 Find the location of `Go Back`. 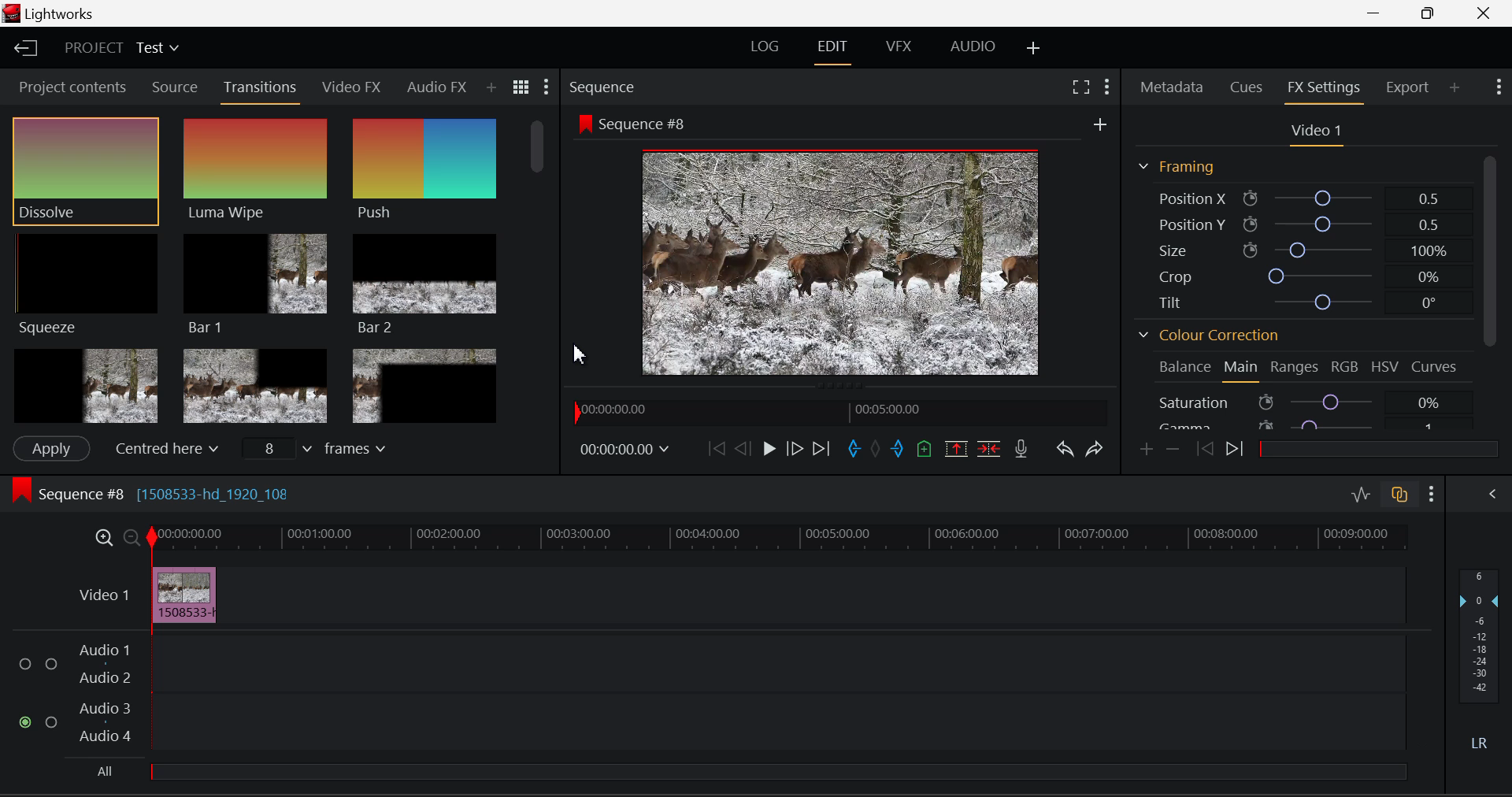

Go Back is located at coordinates (742, 448).